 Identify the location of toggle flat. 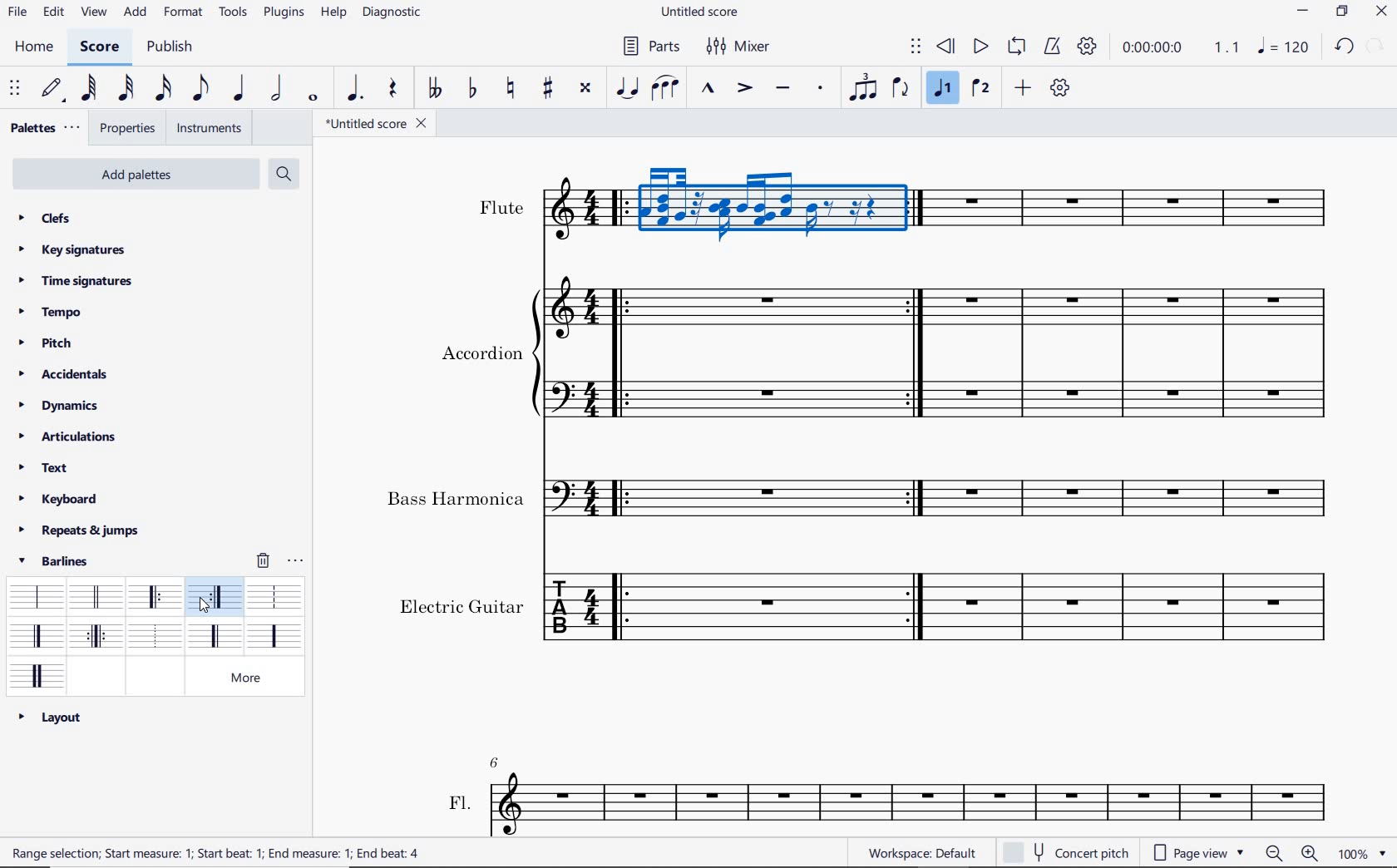
(472, 89).